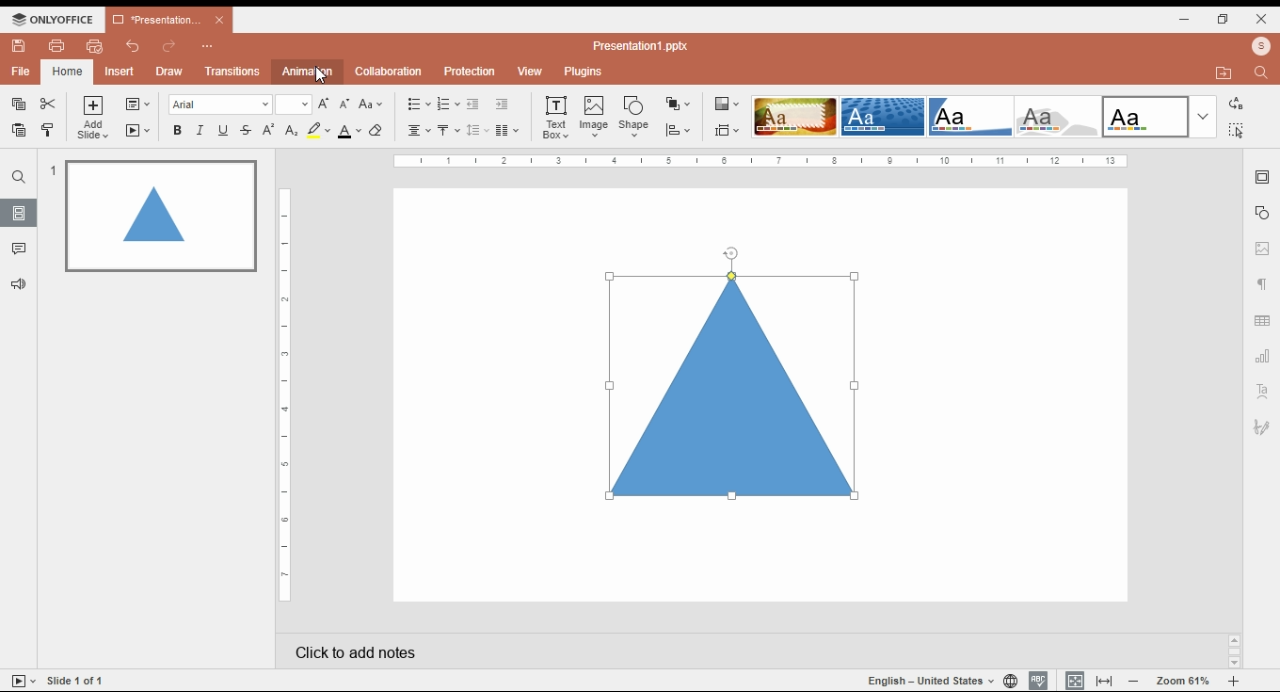 This screenshot has height=692, width=1280. Describe the element at coordinates (1266, 284) in the screenshot. I see `paragraph setting` at that location.